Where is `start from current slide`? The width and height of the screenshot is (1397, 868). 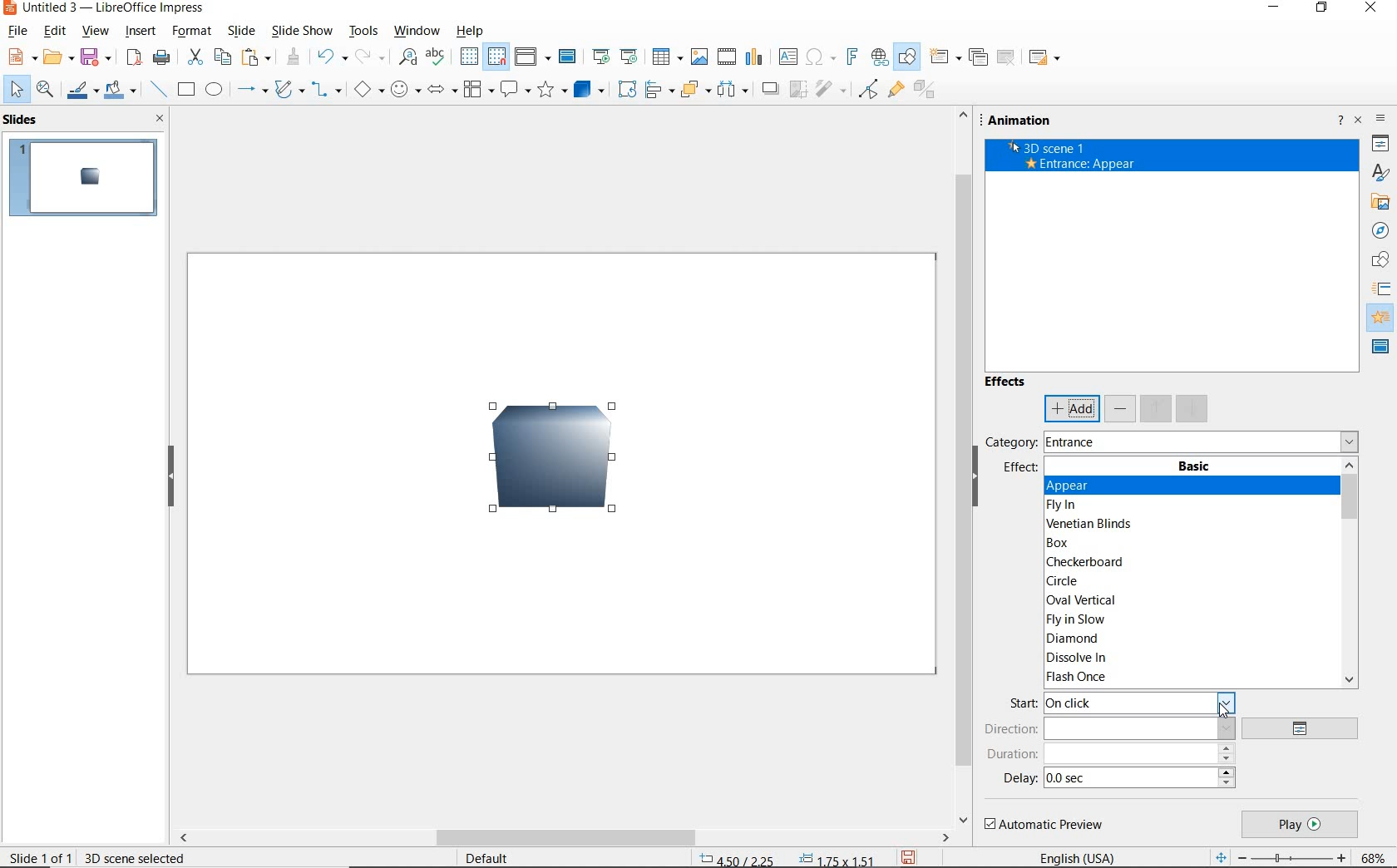
start from current slide is located at coordinates (629, 57).